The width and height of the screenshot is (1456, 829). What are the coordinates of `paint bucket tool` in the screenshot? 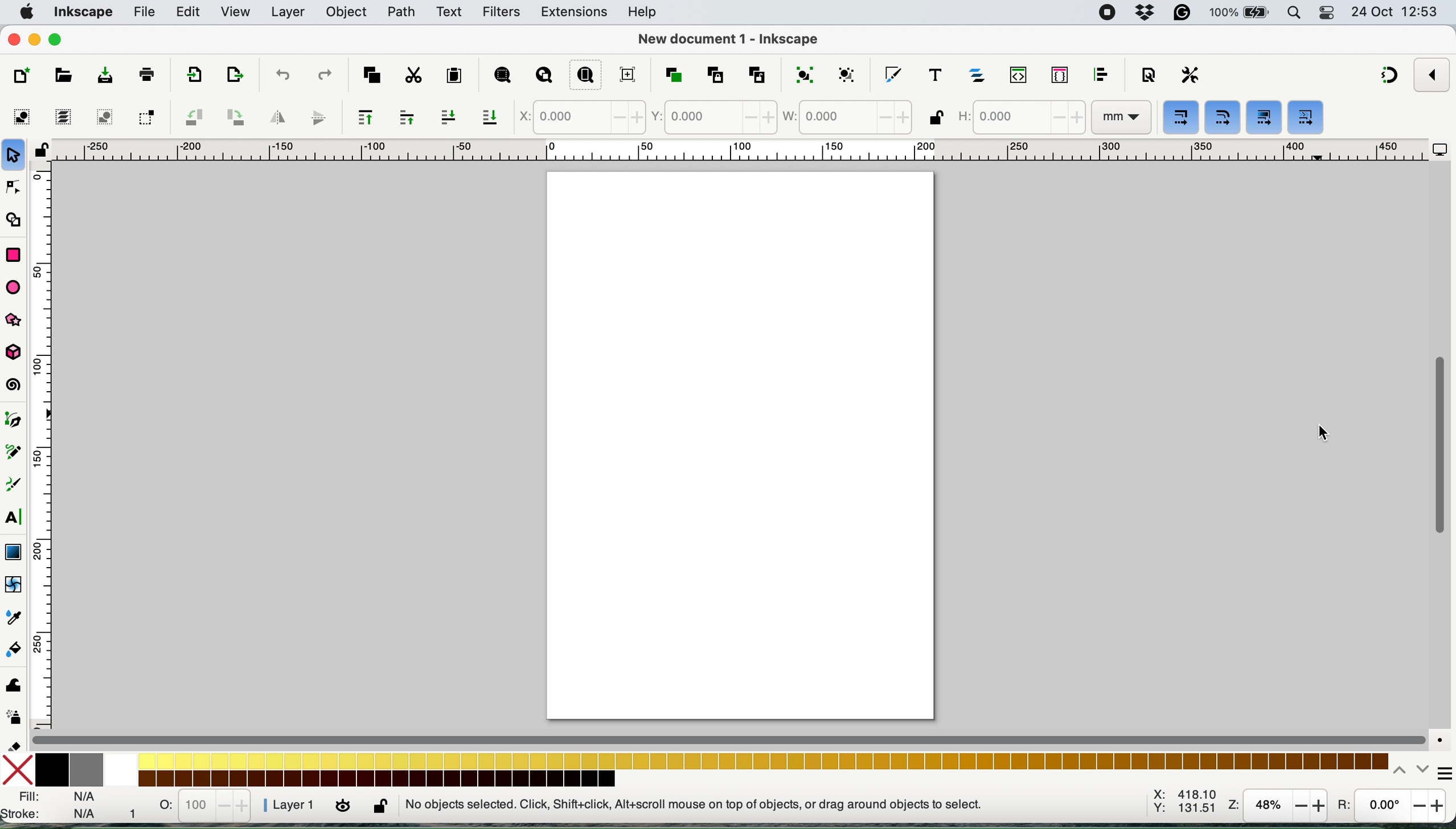 It's located at (15, 649).